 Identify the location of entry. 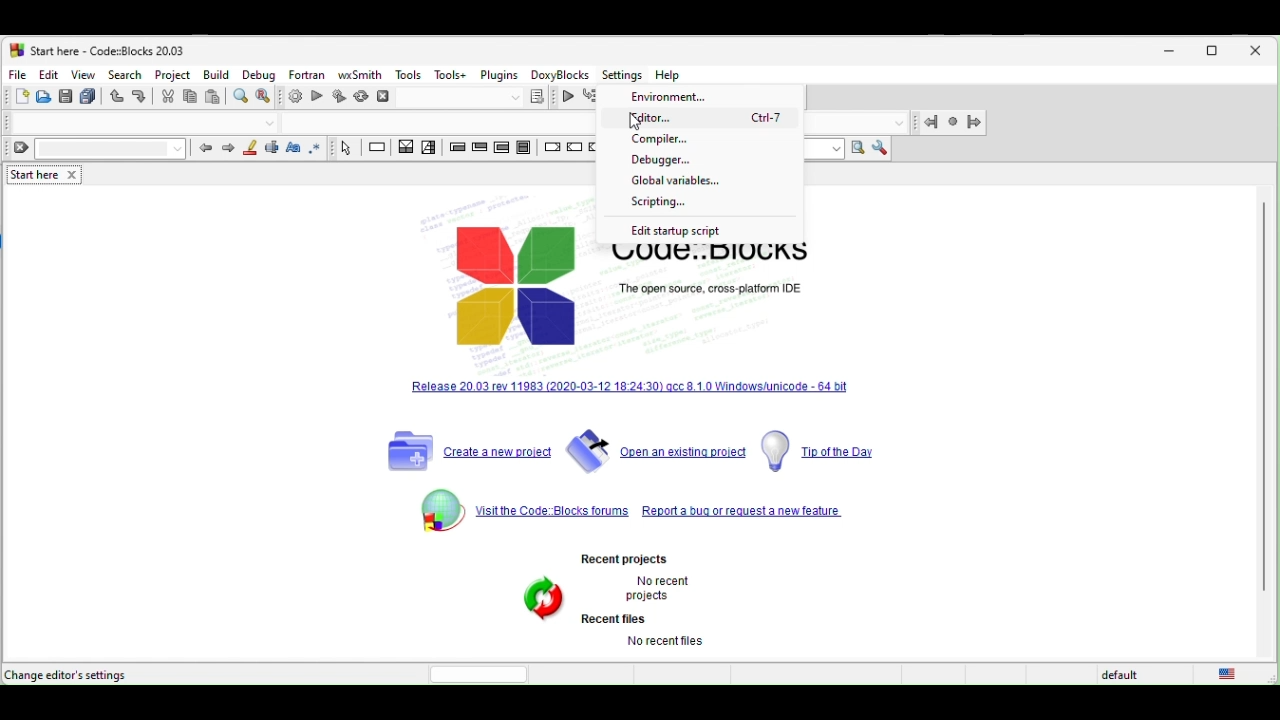
(458, 148).